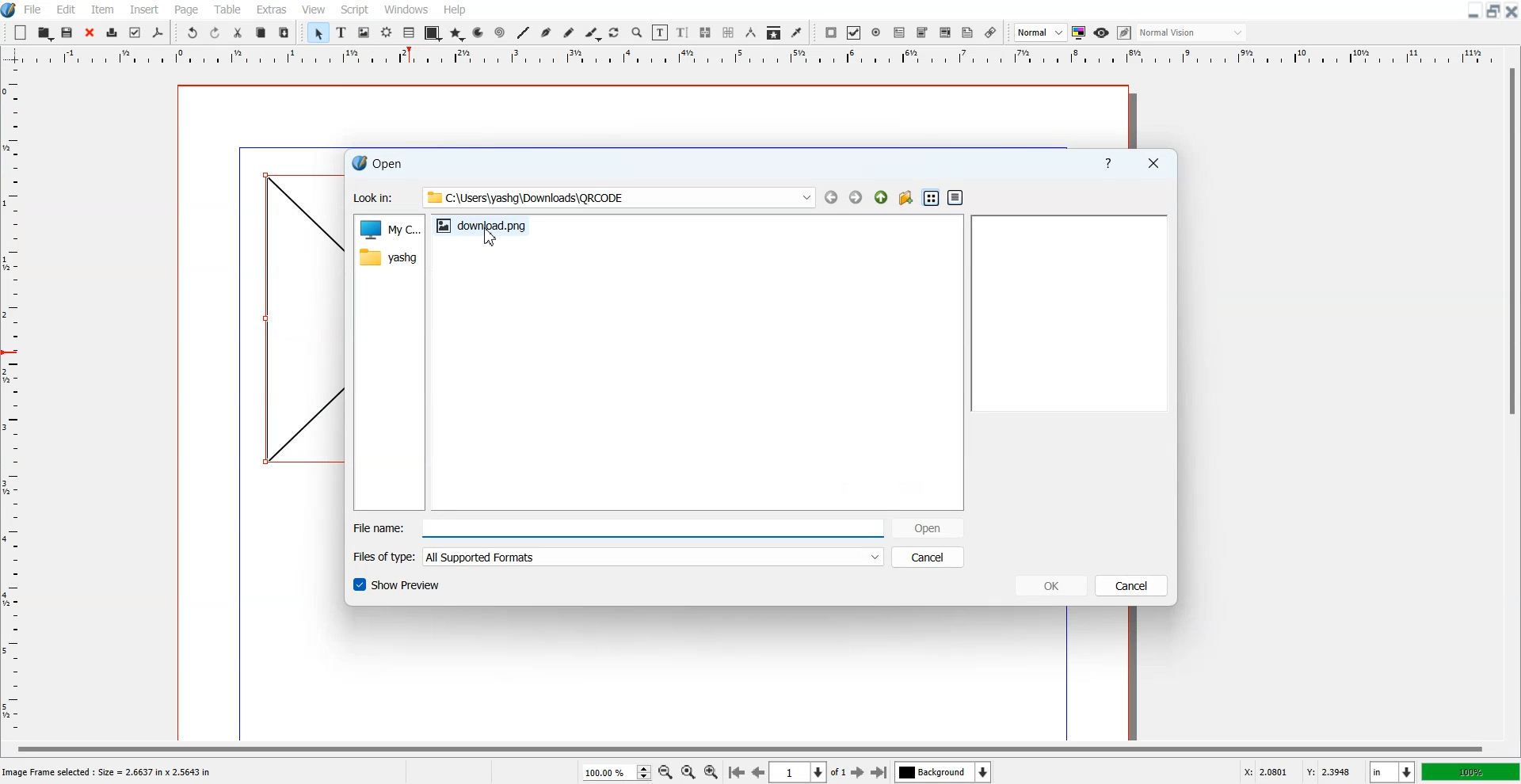 This screenshot has width=1521, height=784. Describe the element at coordinates (21, 32) in the screenshot. I see `Add` at that location.